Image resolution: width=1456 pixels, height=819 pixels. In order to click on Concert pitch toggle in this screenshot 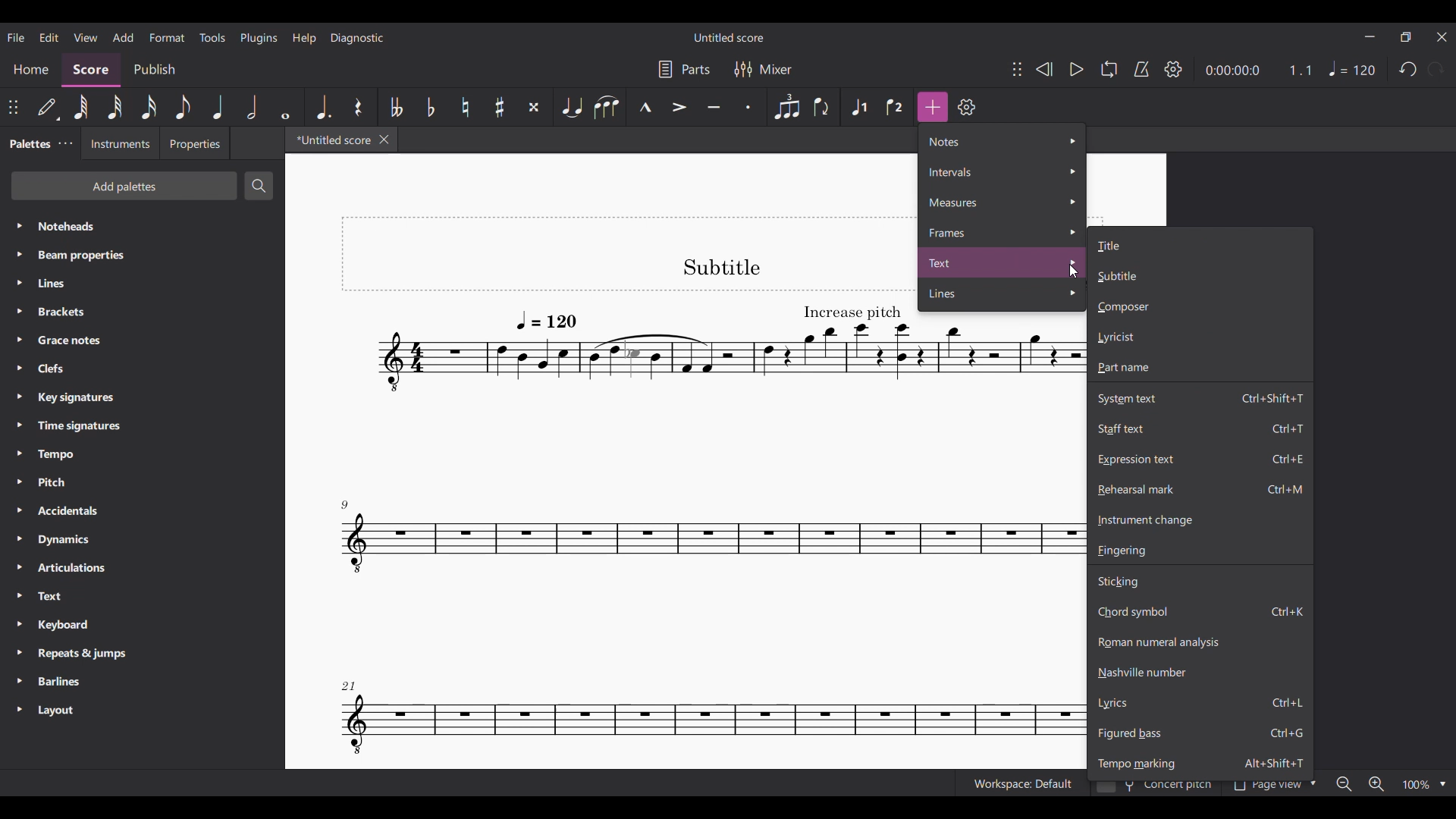, I will do `click(1155, 789)`.